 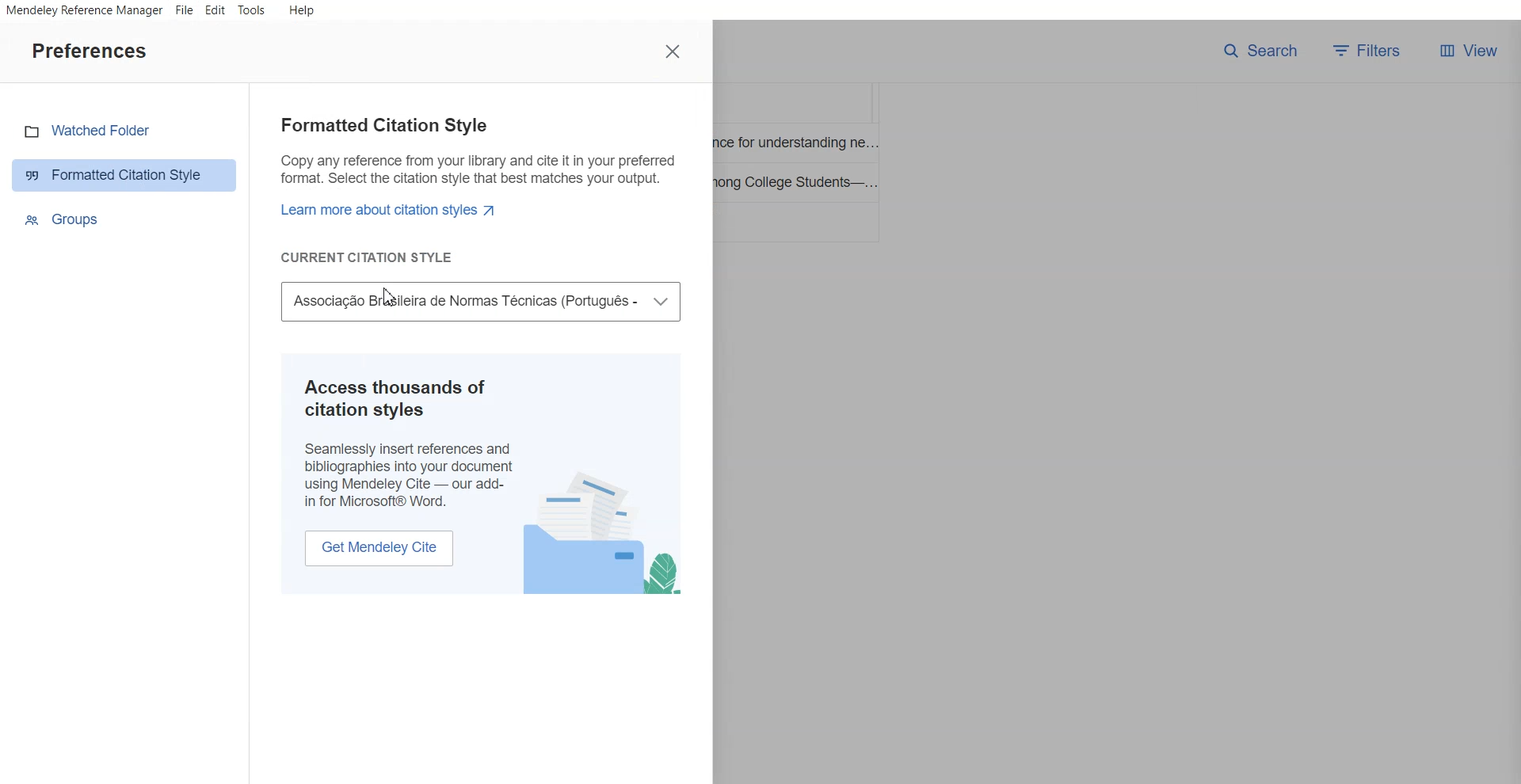 What do you see at coordinates (215, 11) in the screenshot?
I see `Edit` at bounding box center [215, 11].